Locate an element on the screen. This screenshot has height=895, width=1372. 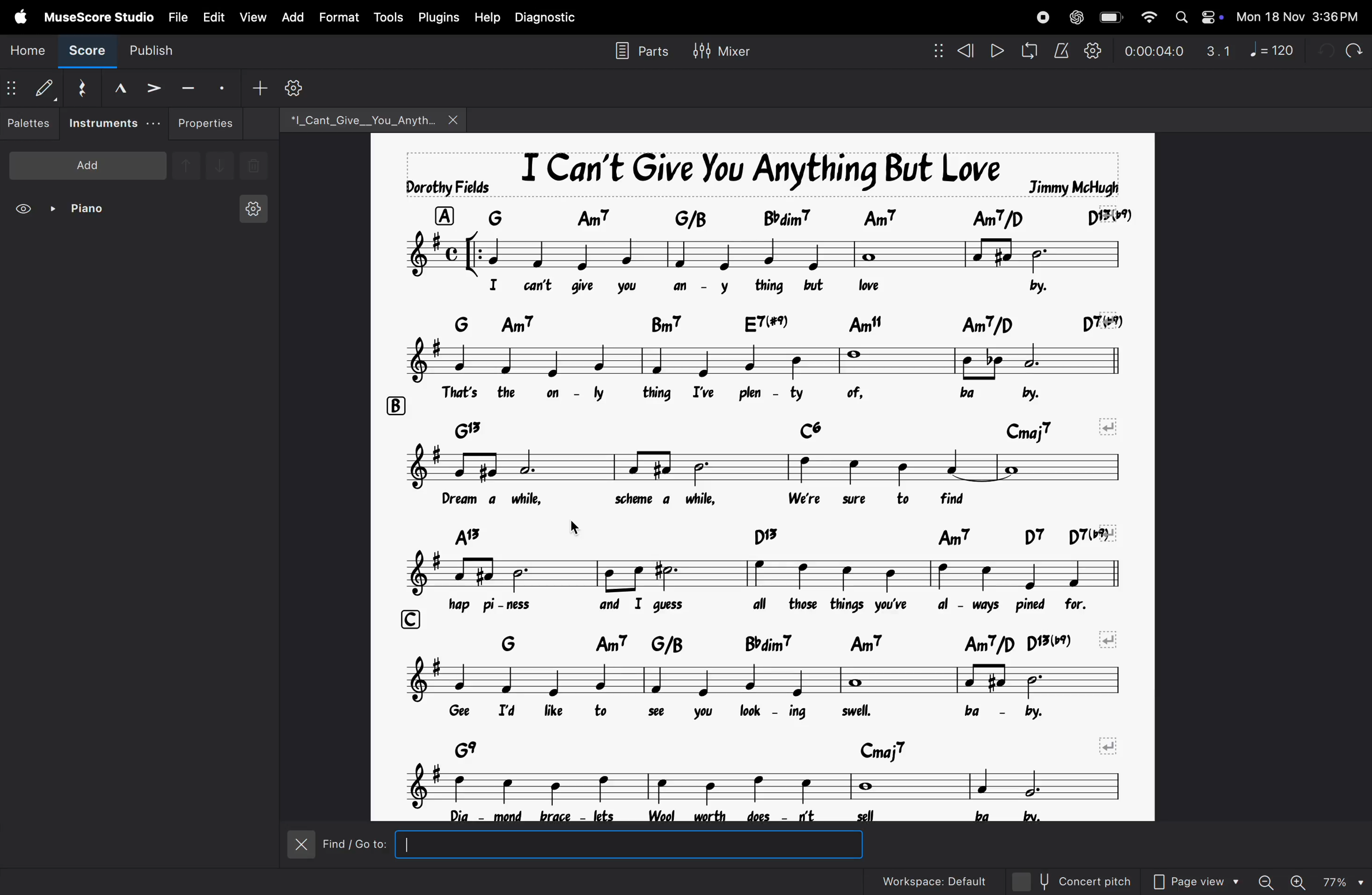
add is located at coordinates (87, 164).